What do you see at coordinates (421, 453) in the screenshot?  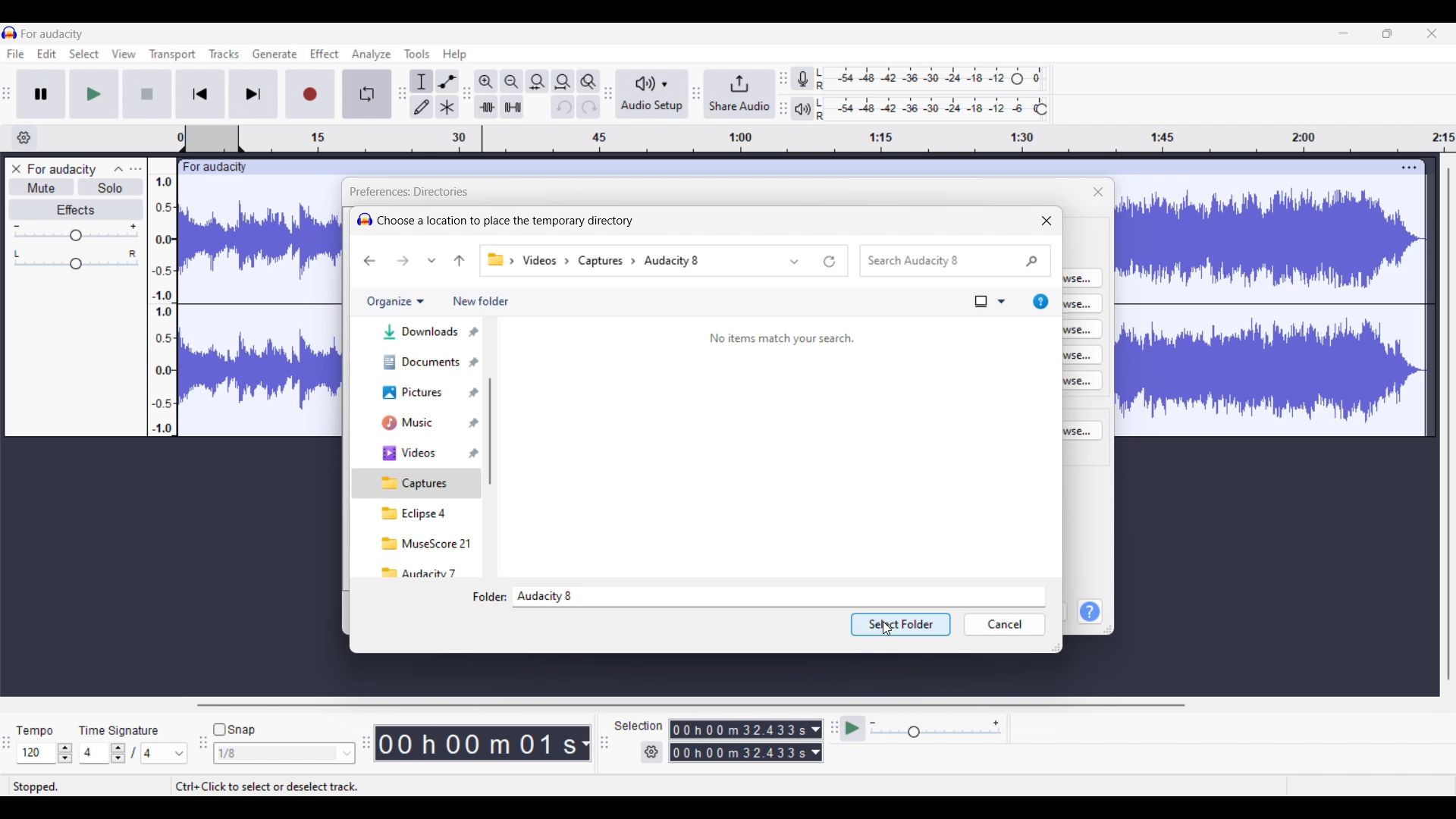 I see `Videos` at bounding box center [421, 453].